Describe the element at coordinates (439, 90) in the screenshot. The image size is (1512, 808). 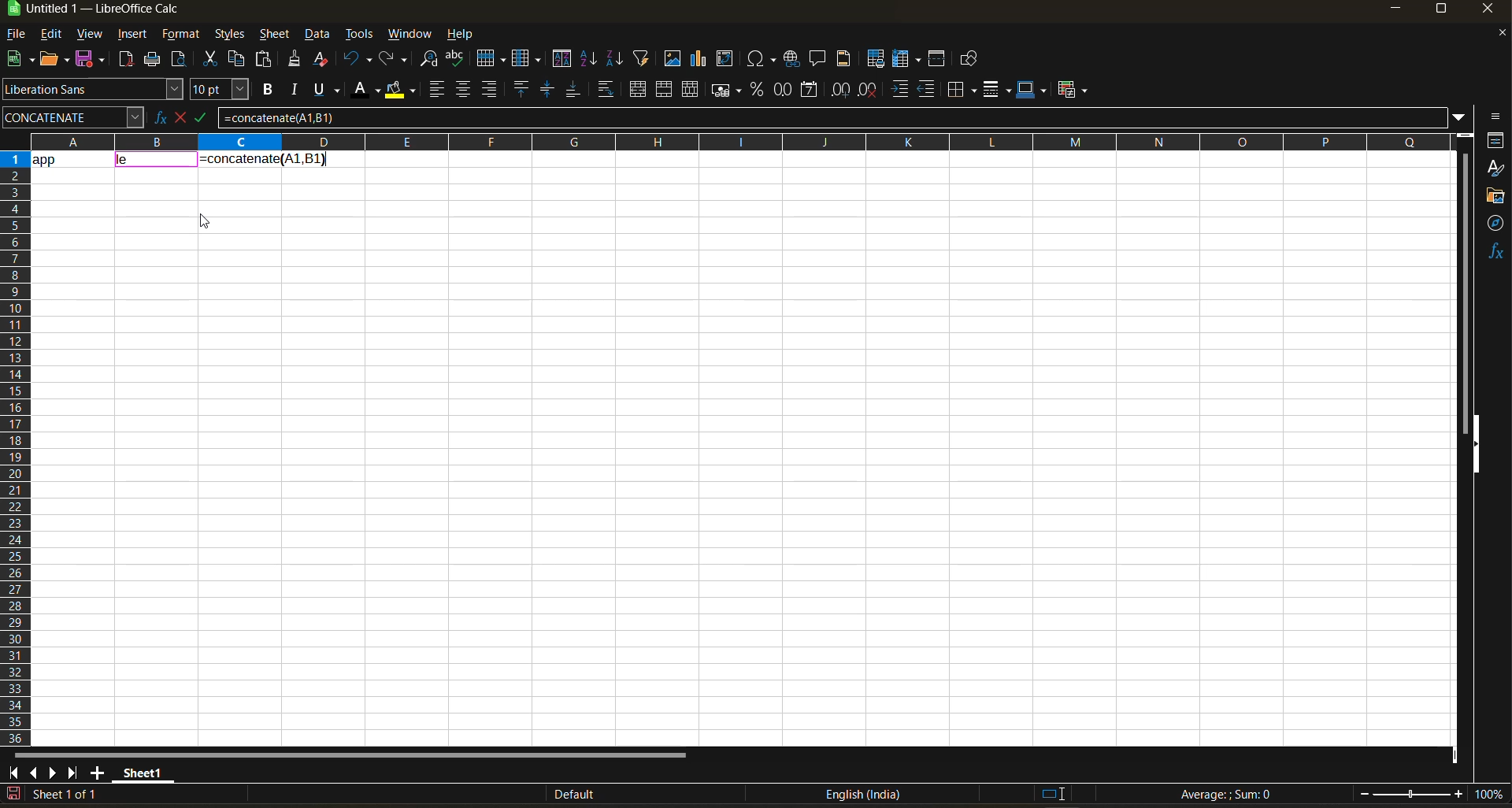
I see `align left` at that location.